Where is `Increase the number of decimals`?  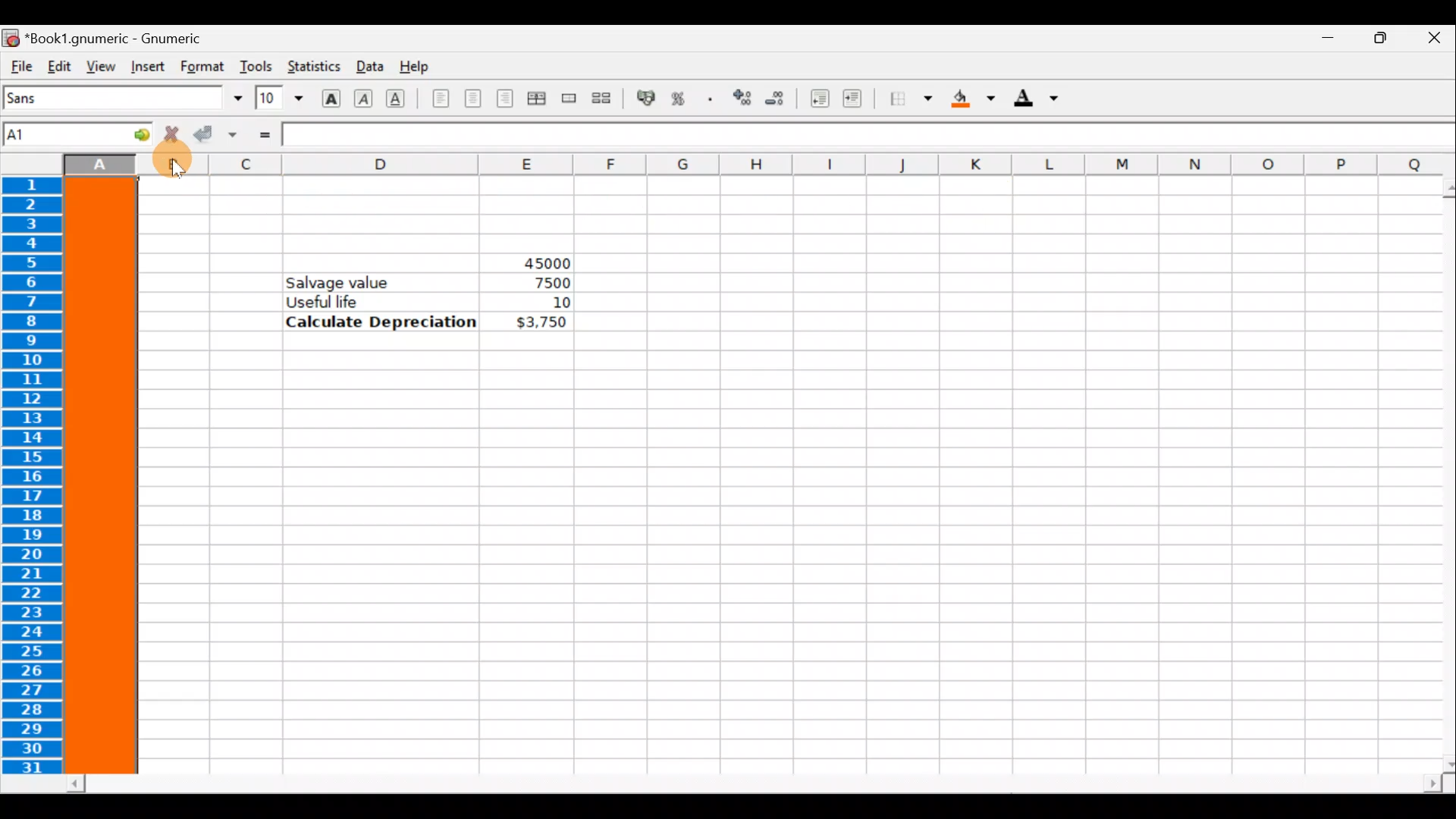
Increase the number of decimals is located at coordinates (741, 99).